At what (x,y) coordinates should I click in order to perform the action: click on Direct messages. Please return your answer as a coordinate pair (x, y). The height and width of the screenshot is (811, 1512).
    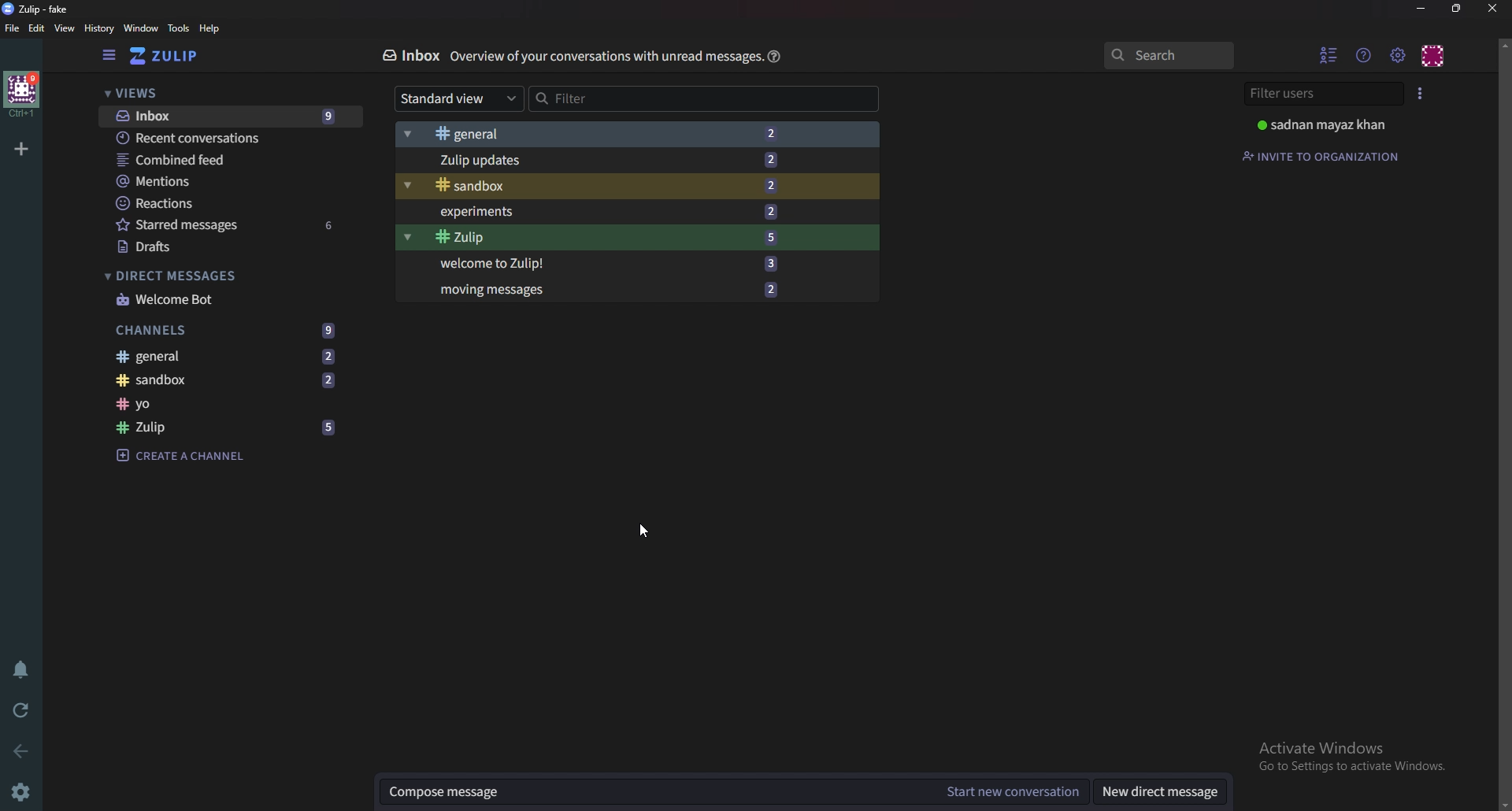
    Looking at the image, I should click on (1163, 789).